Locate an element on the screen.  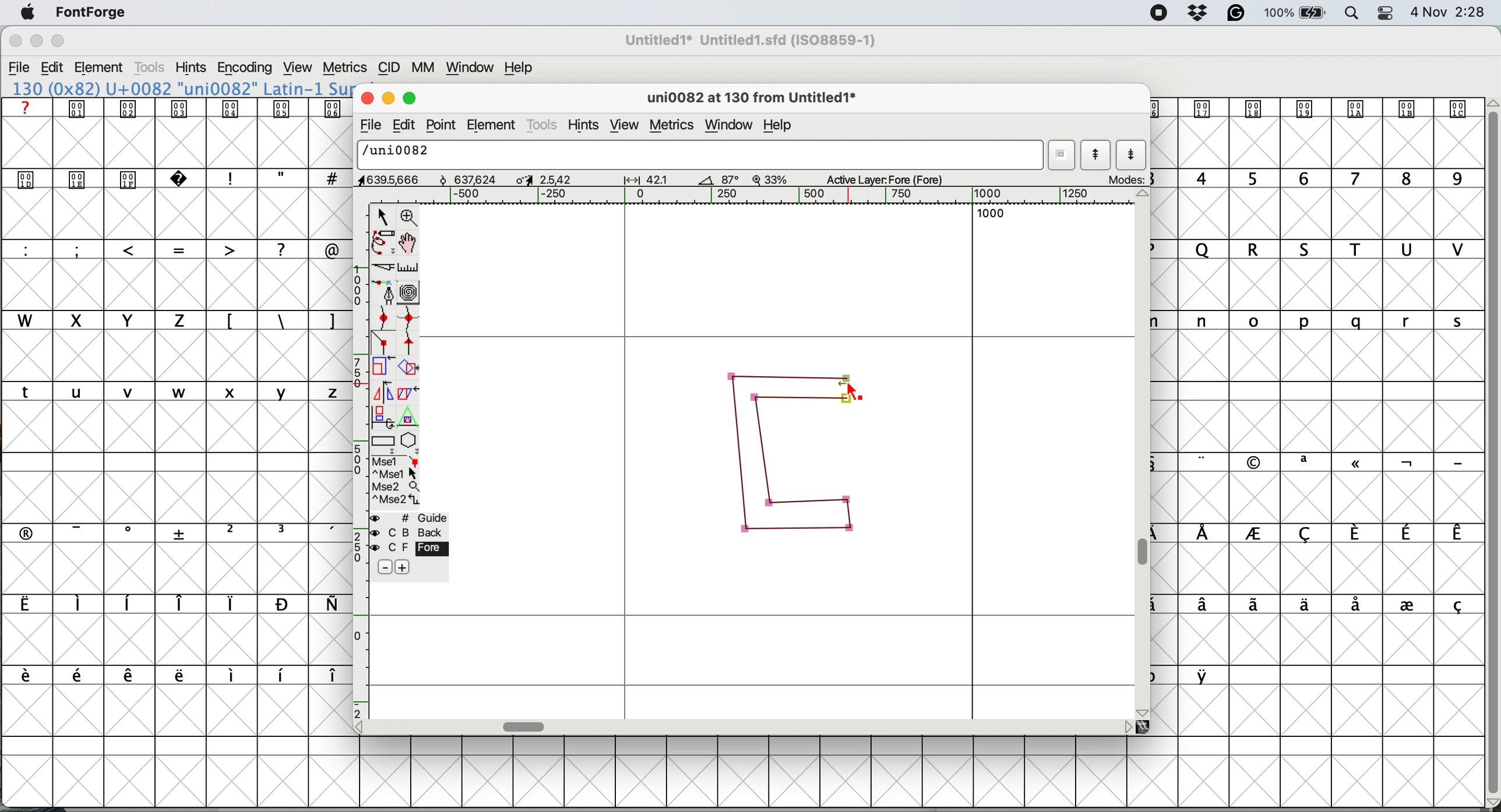
add a curve point is located at coordinates (383, 317).